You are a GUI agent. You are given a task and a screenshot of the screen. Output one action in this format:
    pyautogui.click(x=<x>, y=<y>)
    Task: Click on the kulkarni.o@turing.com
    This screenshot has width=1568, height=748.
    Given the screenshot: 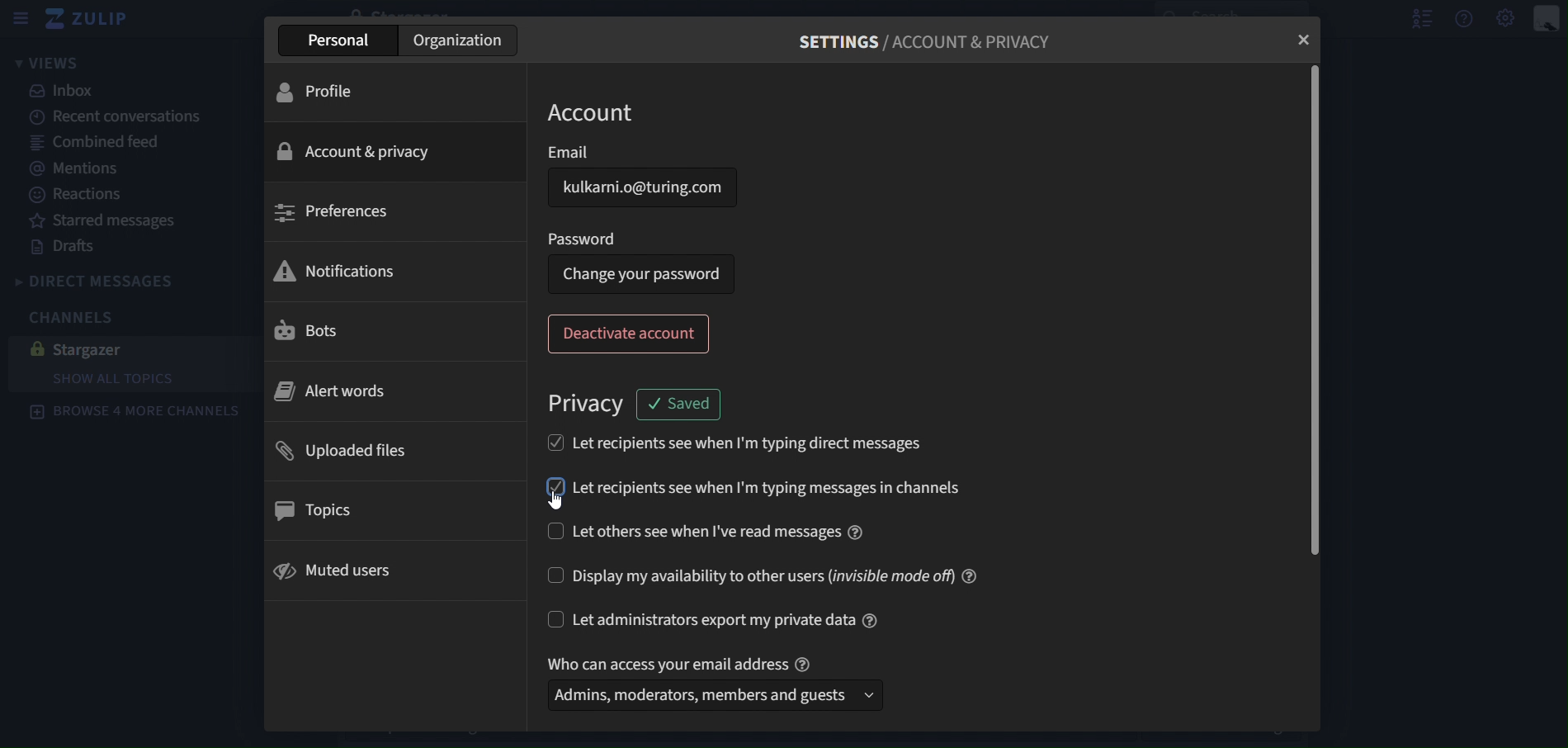 What is the action you would take?
    pyautogui.click(x=654, y=189)
    